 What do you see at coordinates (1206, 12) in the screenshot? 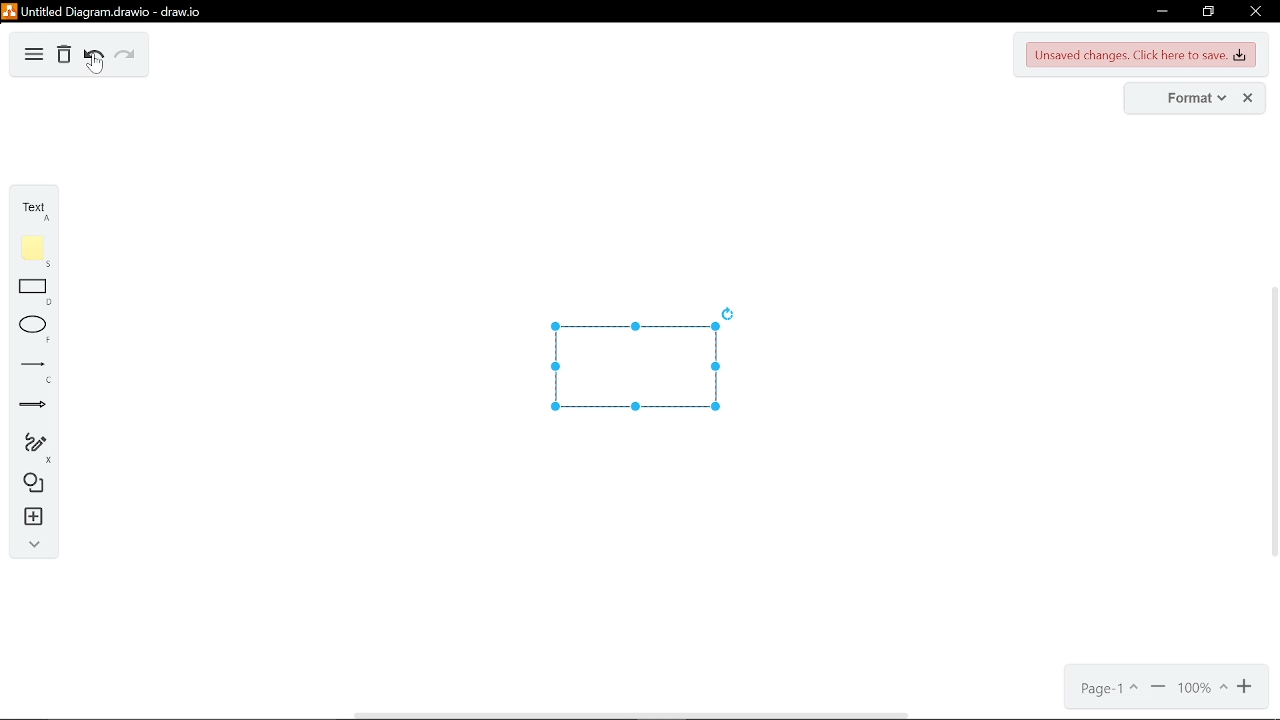
I see `restore down` at bounding box center [1206, 12].